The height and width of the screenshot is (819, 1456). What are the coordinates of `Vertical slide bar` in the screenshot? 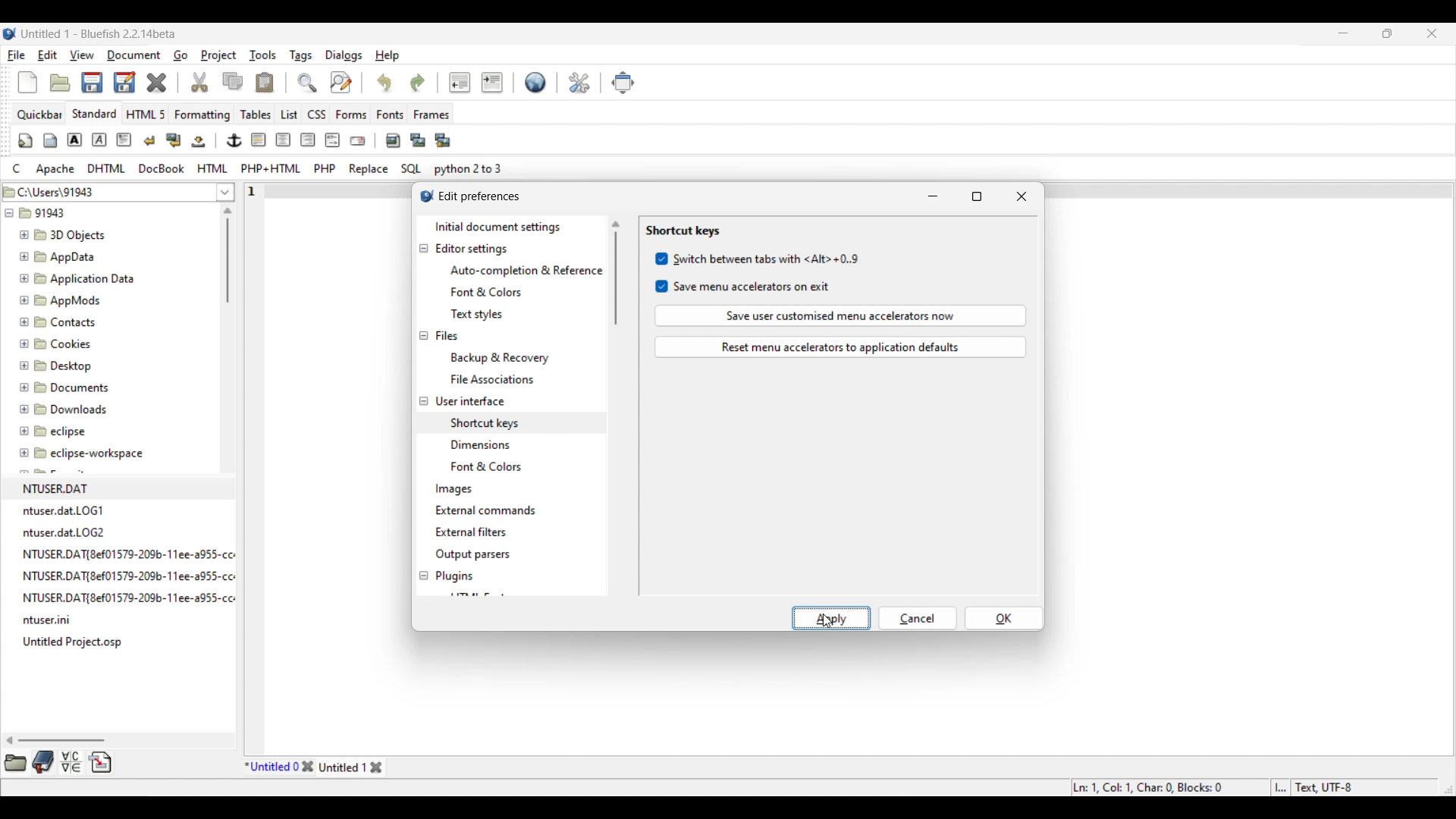 It's located at (616, 273).